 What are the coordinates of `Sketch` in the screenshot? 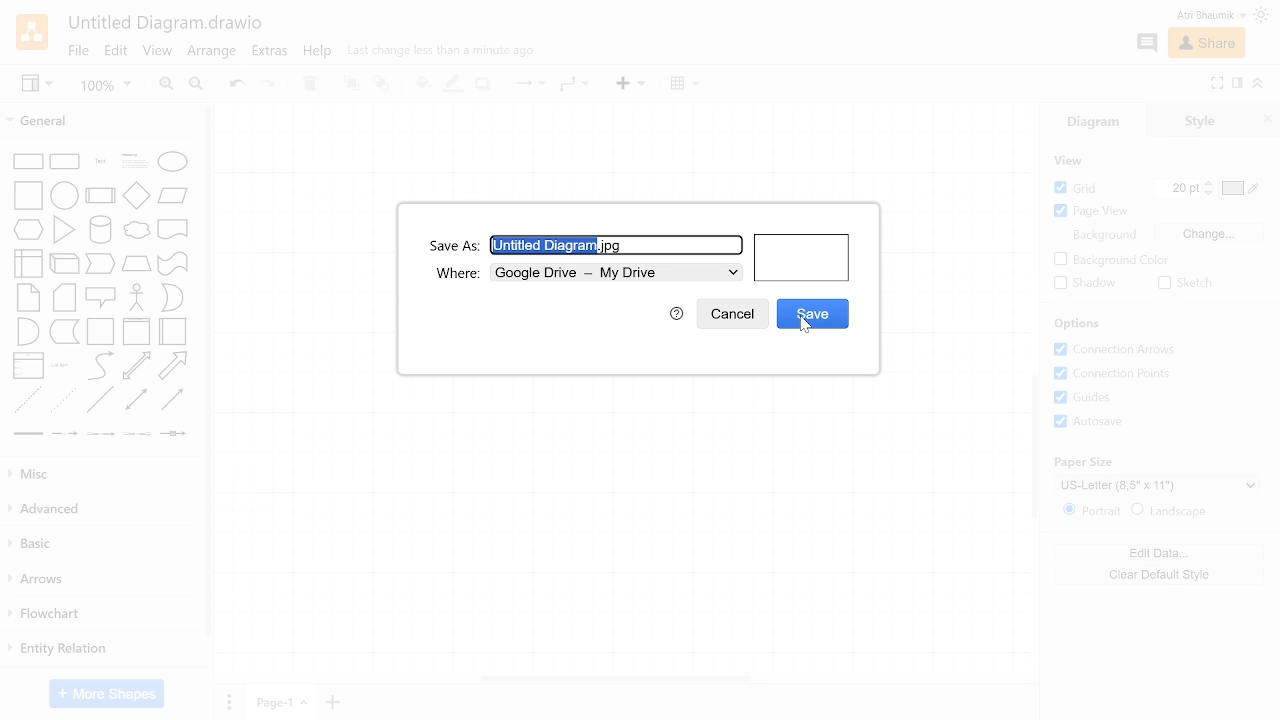 It's located at (1188, 283).